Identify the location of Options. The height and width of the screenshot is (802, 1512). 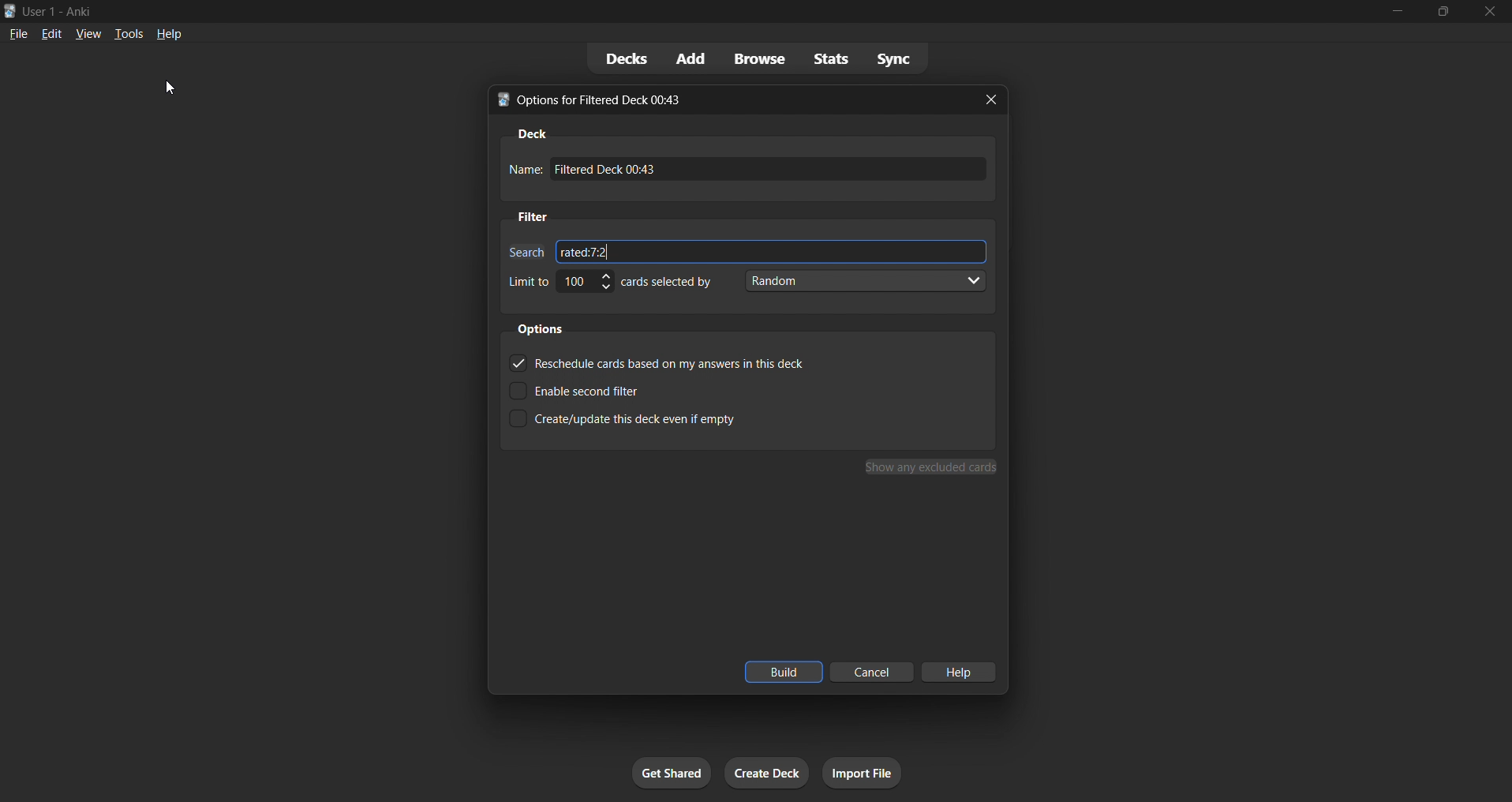
(546, 328).